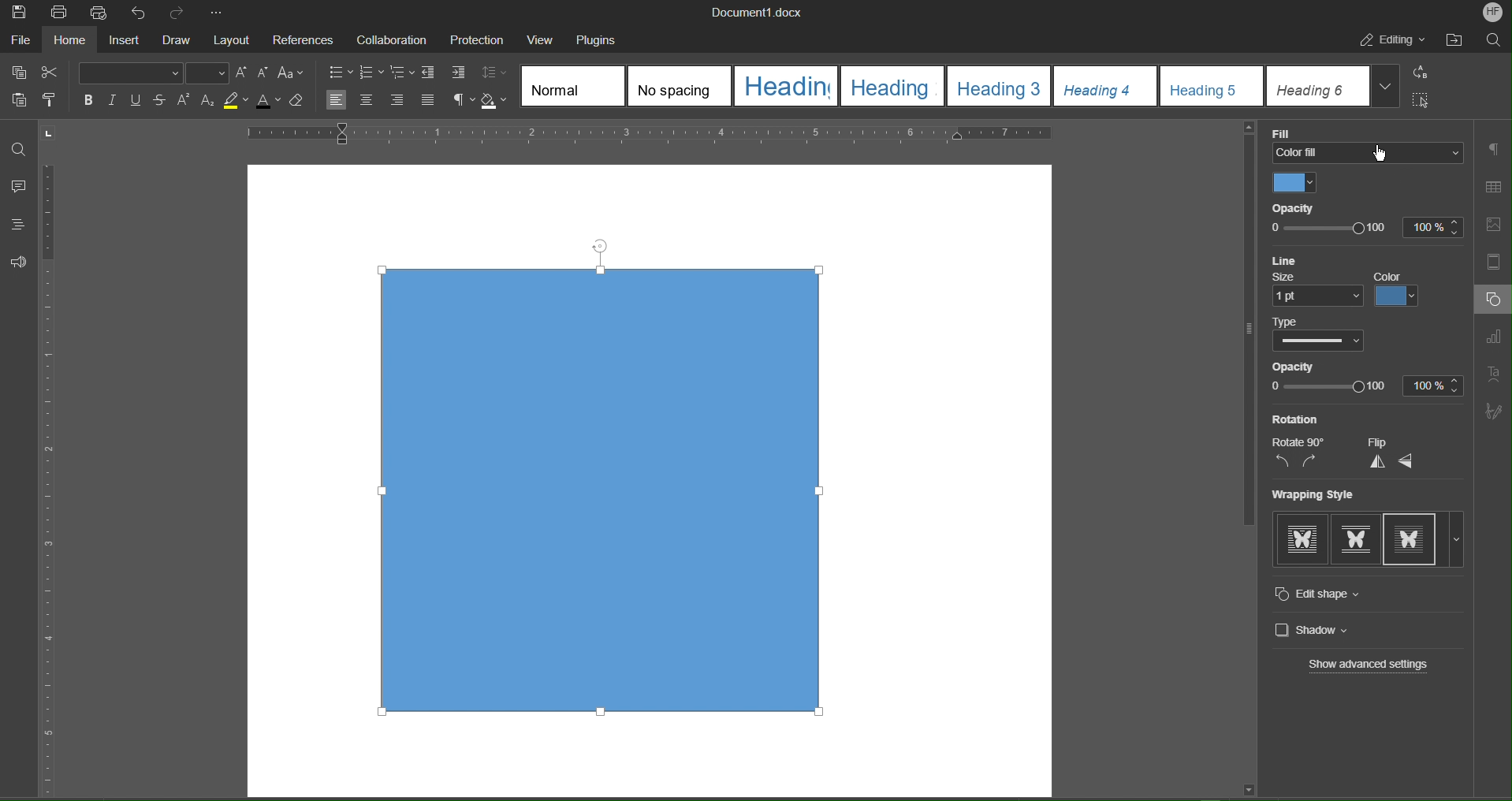  What do you see at coordinates (1362, 154) in the screenshot?
I see `Color Fill` at bounding box center [1362, 154].